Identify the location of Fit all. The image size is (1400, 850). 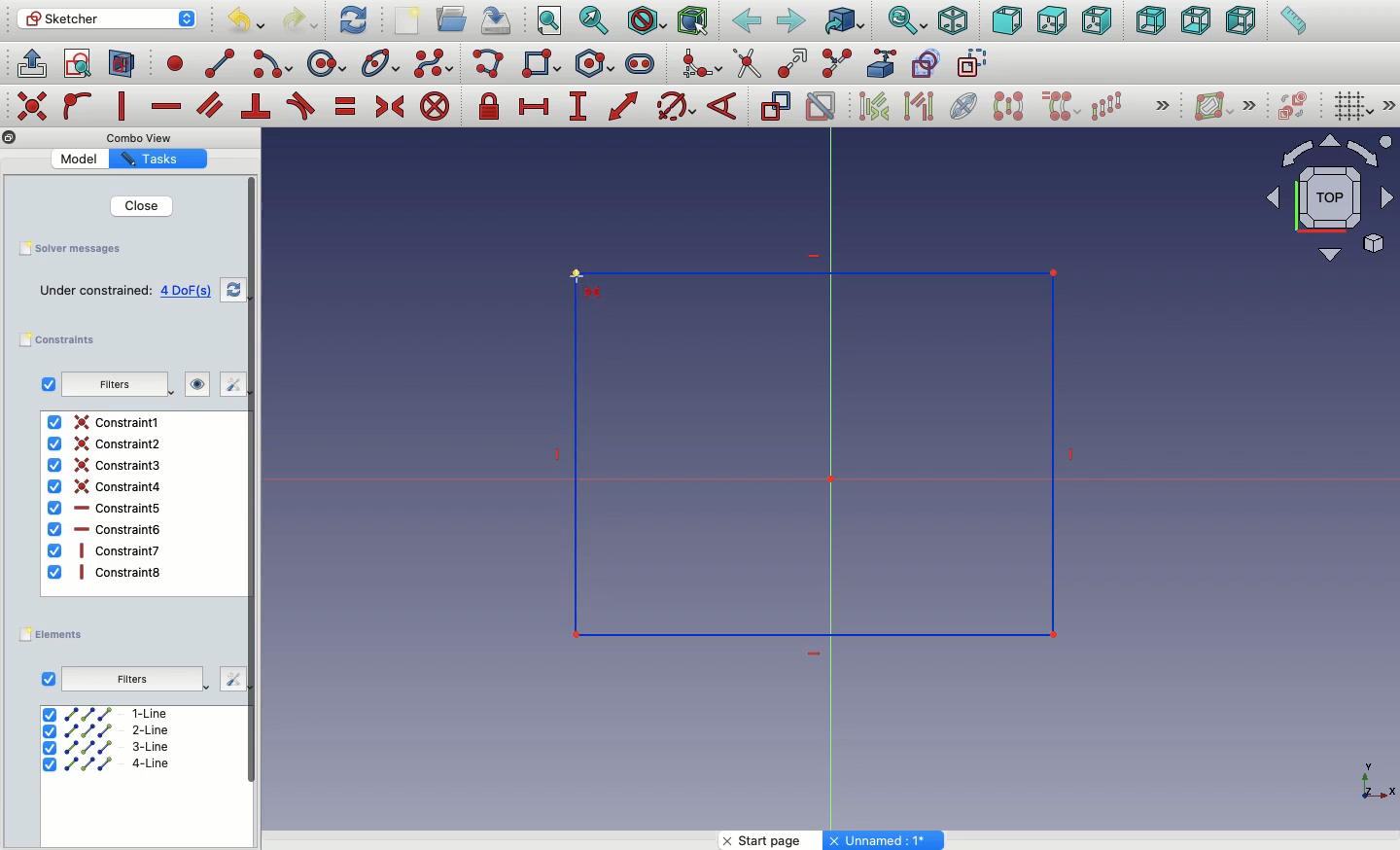
(547, 22).